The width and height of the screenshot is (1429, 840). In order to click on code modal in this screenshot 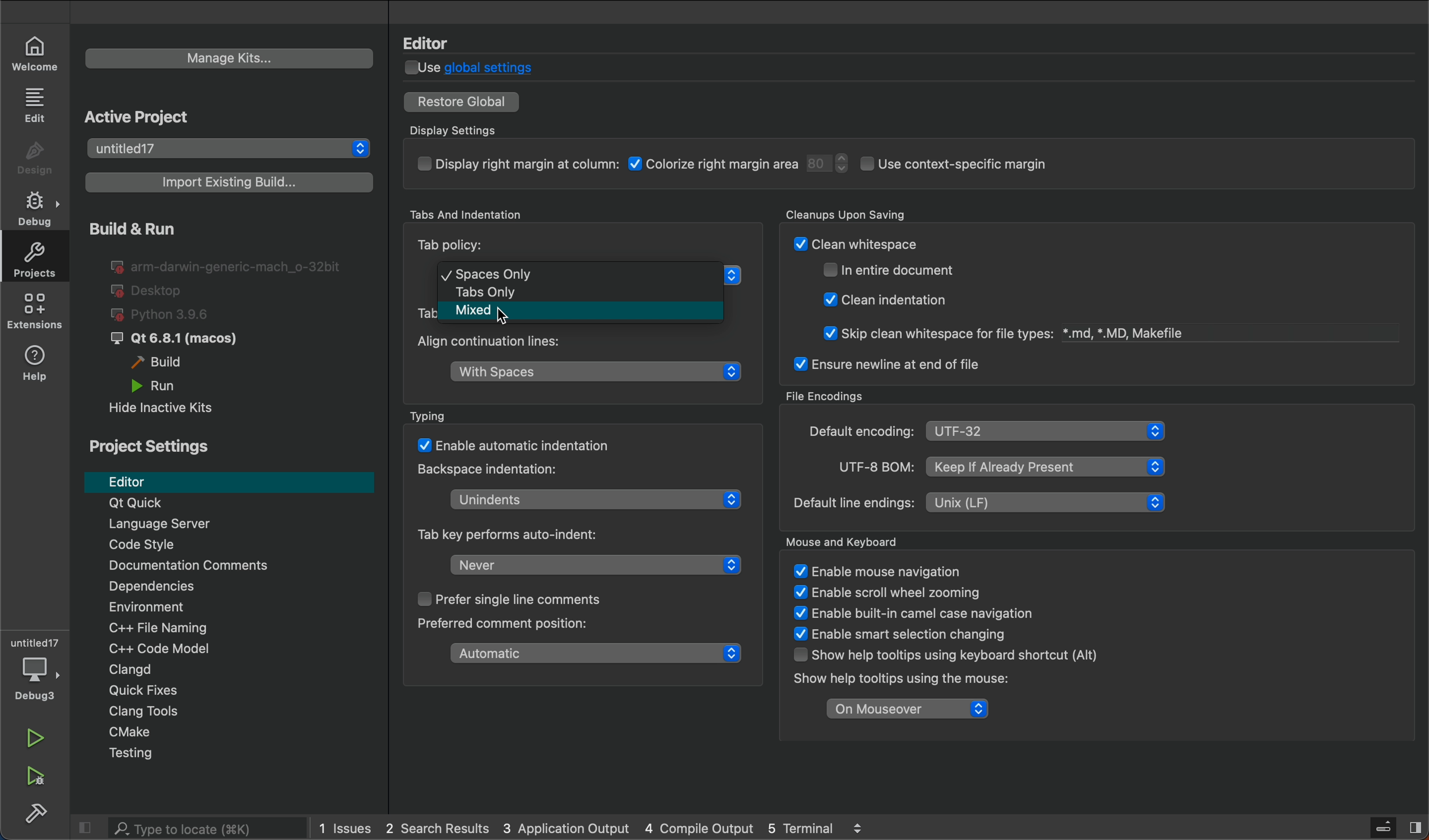, I will do `click(241, 650)`.